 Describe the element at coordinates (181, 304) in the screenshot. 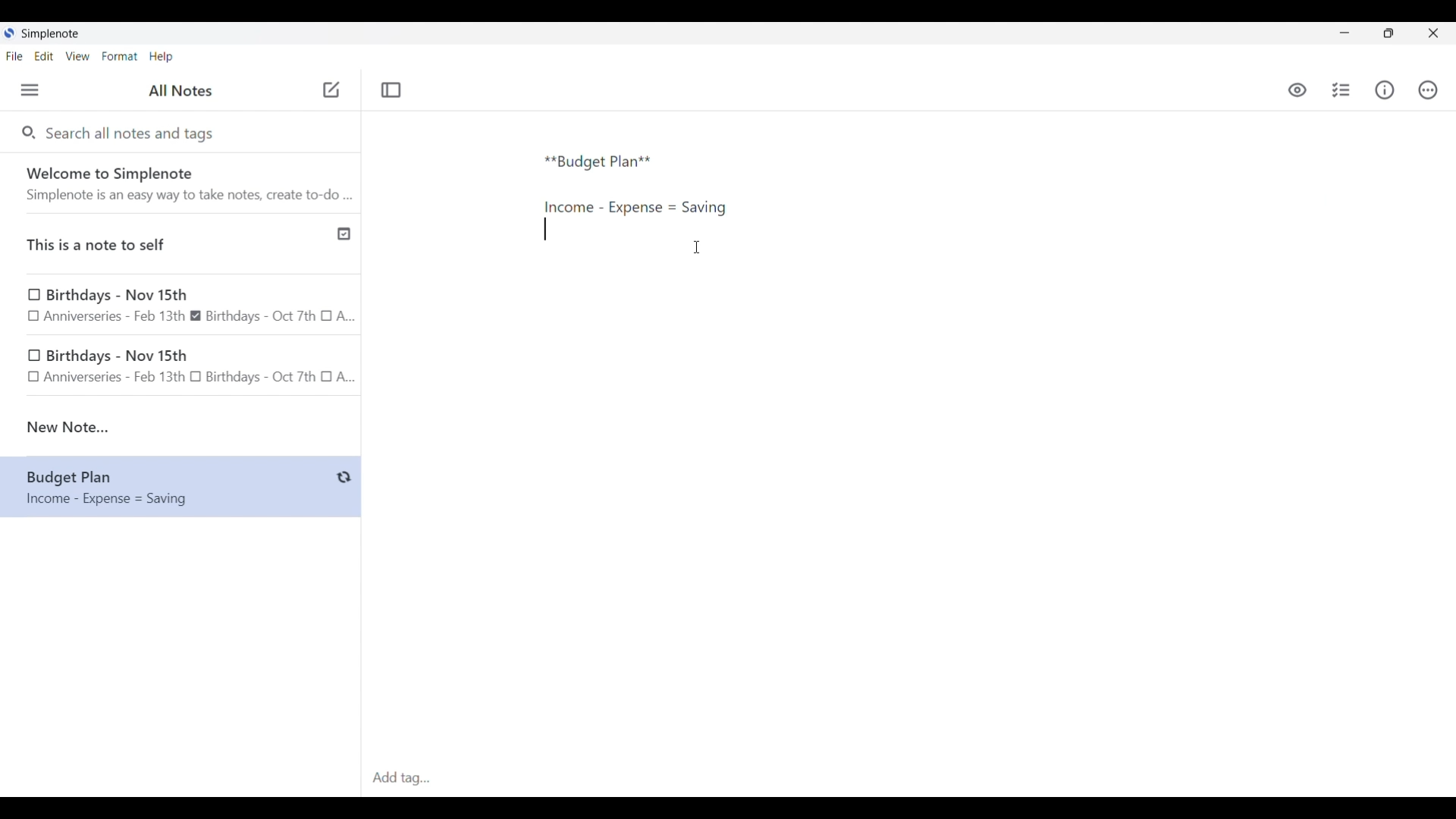

I see `Birthday note` at that location.